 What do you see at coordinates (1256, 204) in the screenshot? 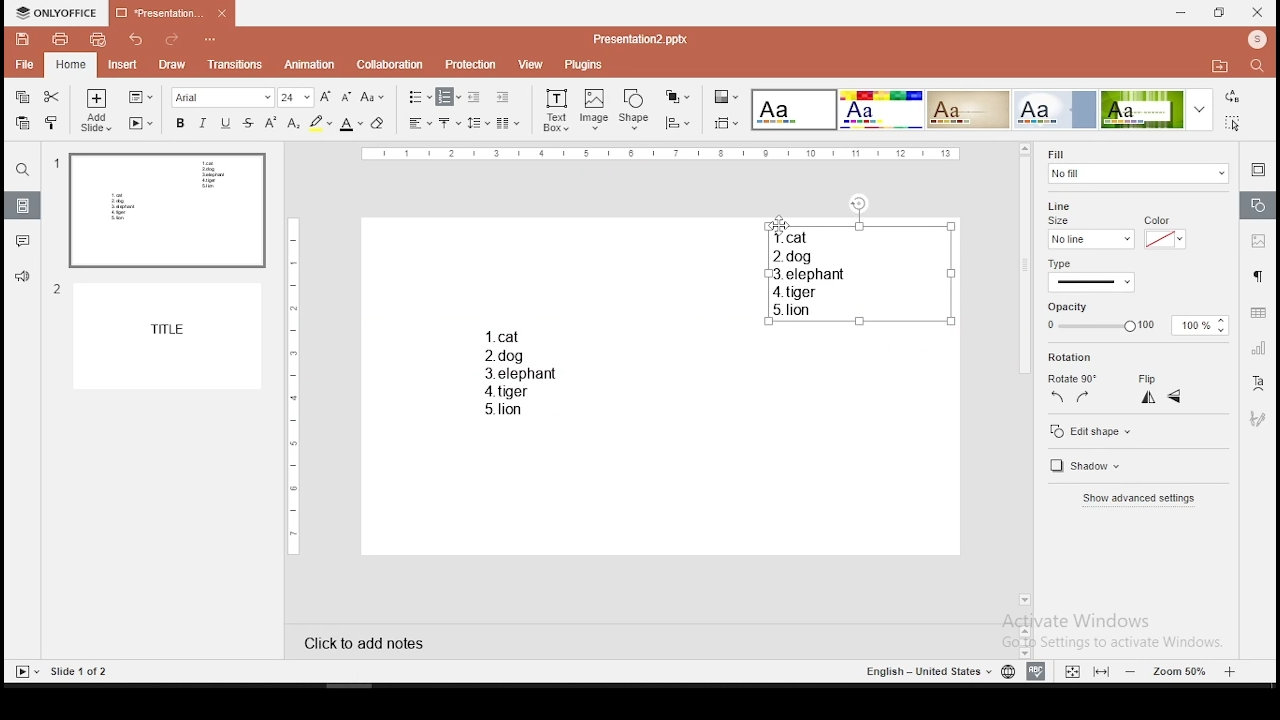
I see `shape settings` at bounding box center [1256, 204].